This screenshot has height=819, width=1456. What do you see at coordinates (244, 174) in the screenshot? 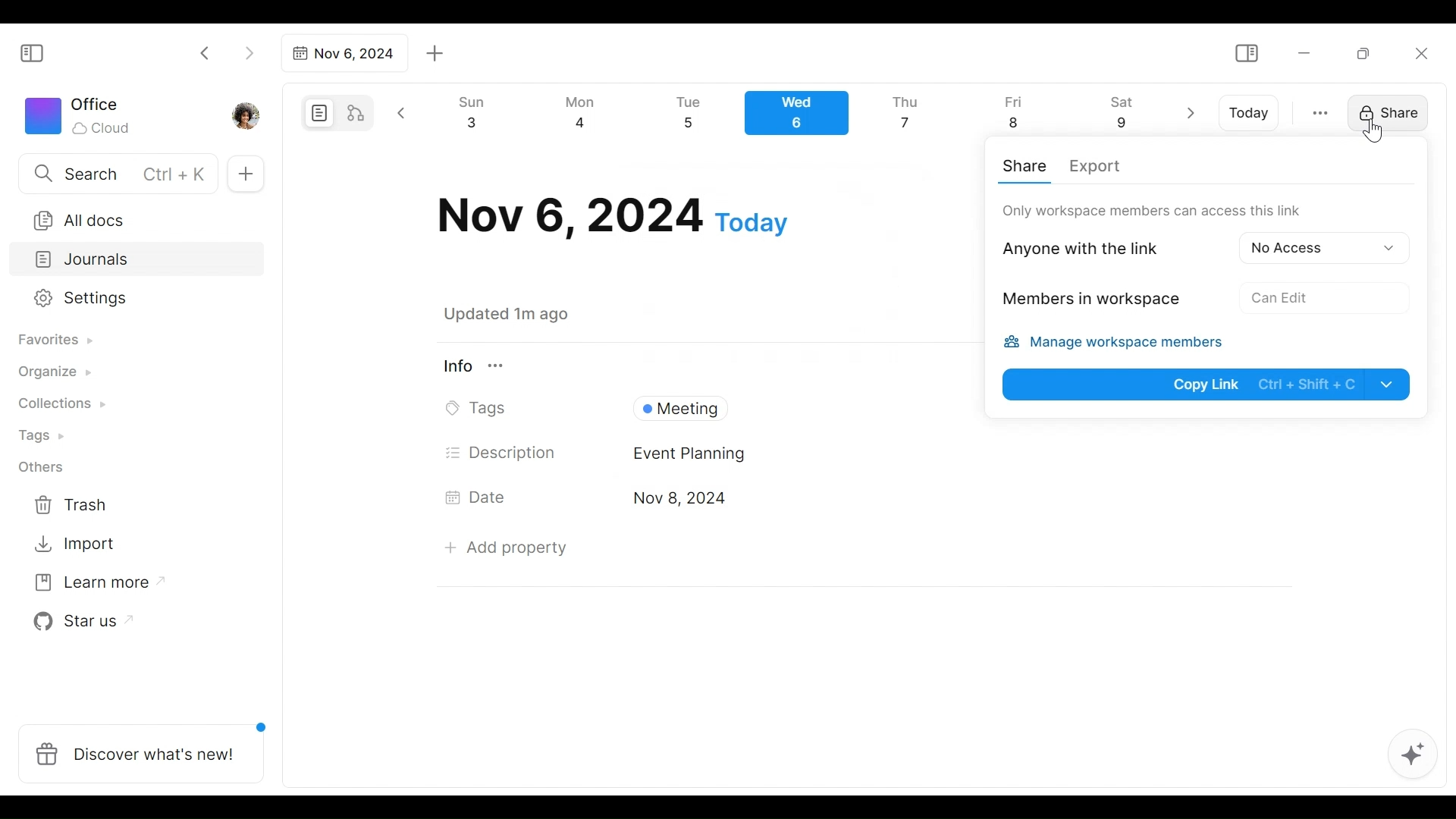
I see `Add new ` at bounding box center [244, 174].